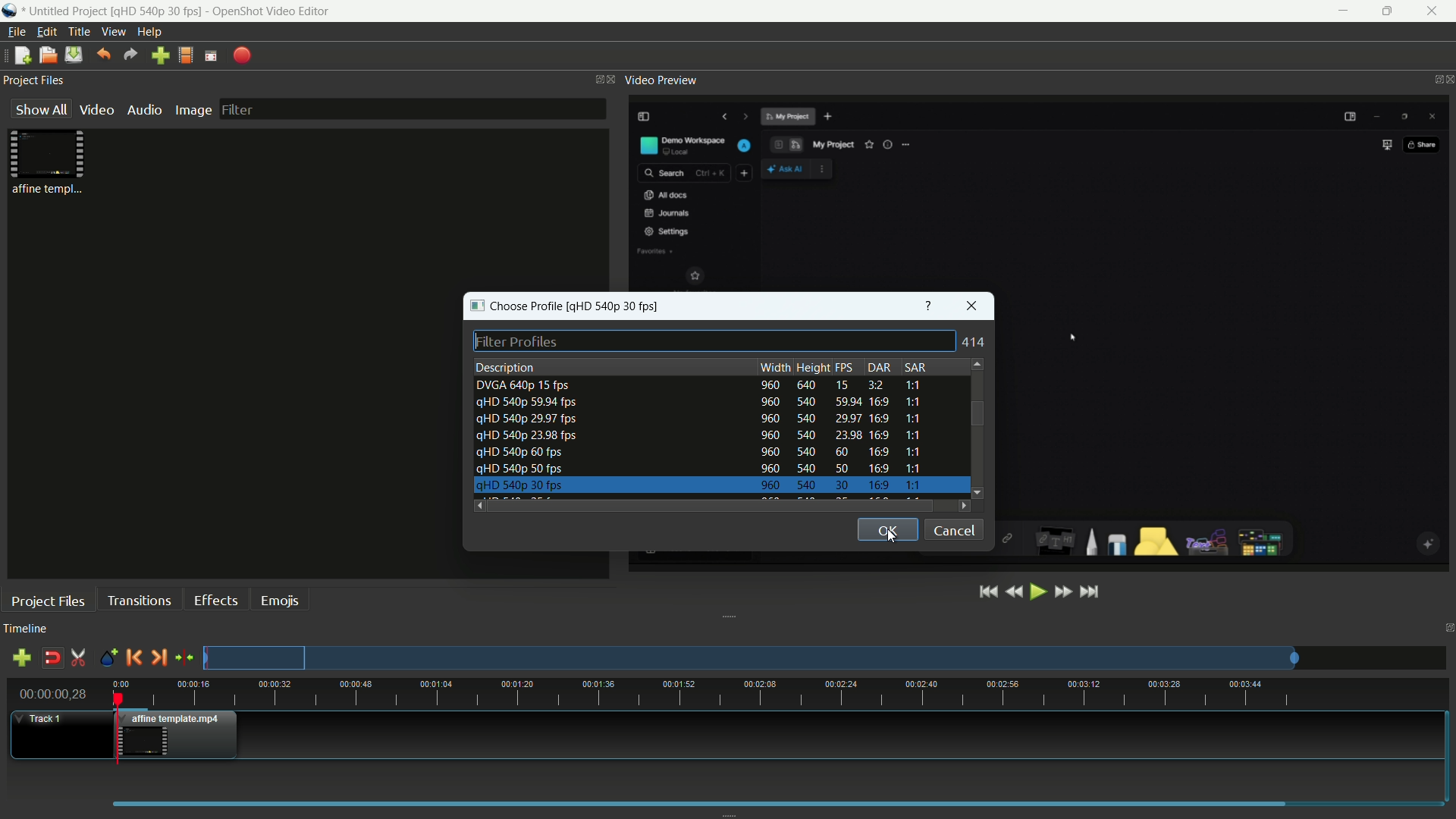 This screenshot has width=1456, height=819. I want to click on preview track, so click(750, 657).